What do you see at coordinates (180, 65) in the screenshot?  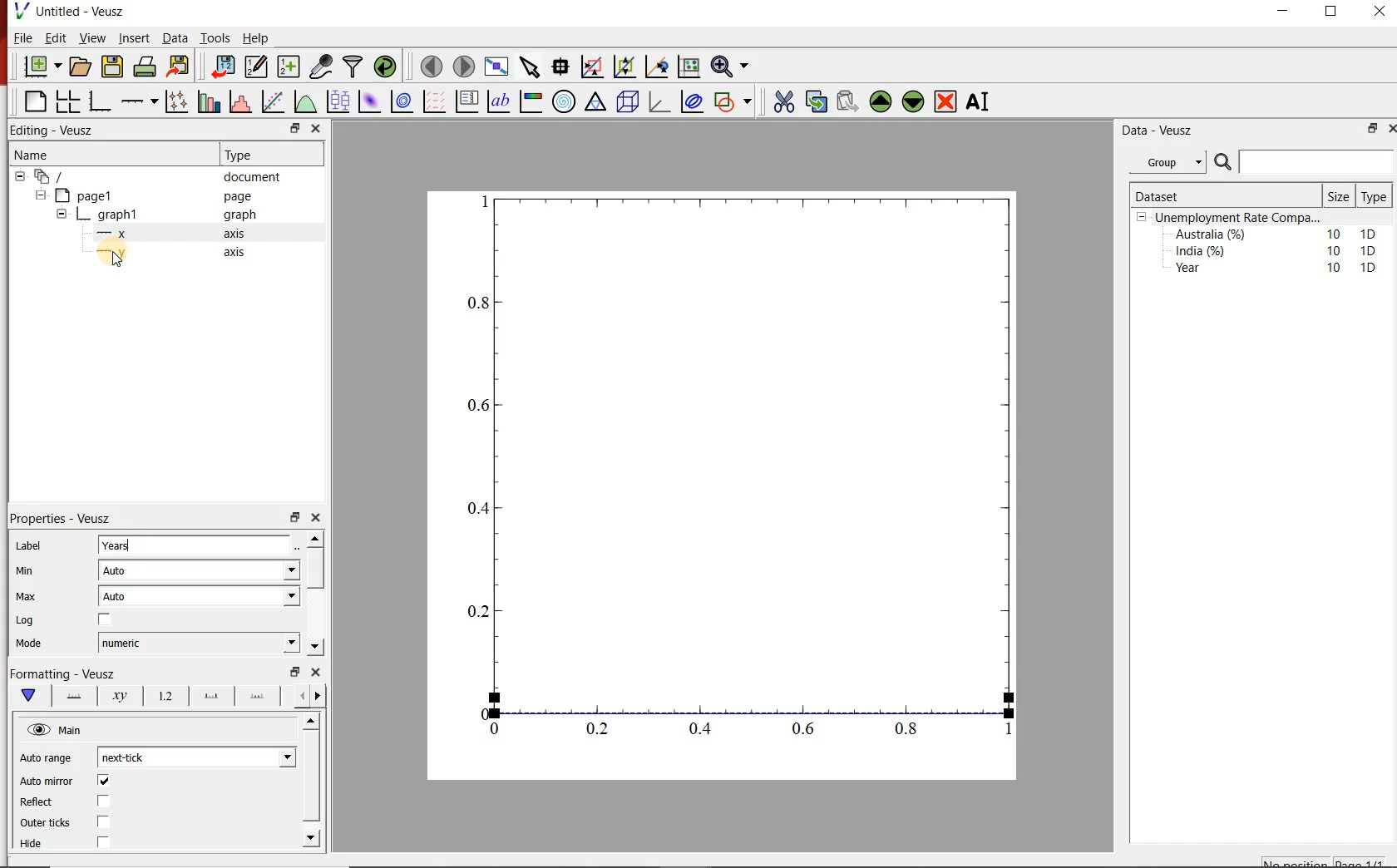 I see `export document` at bounding box center [180, 65].